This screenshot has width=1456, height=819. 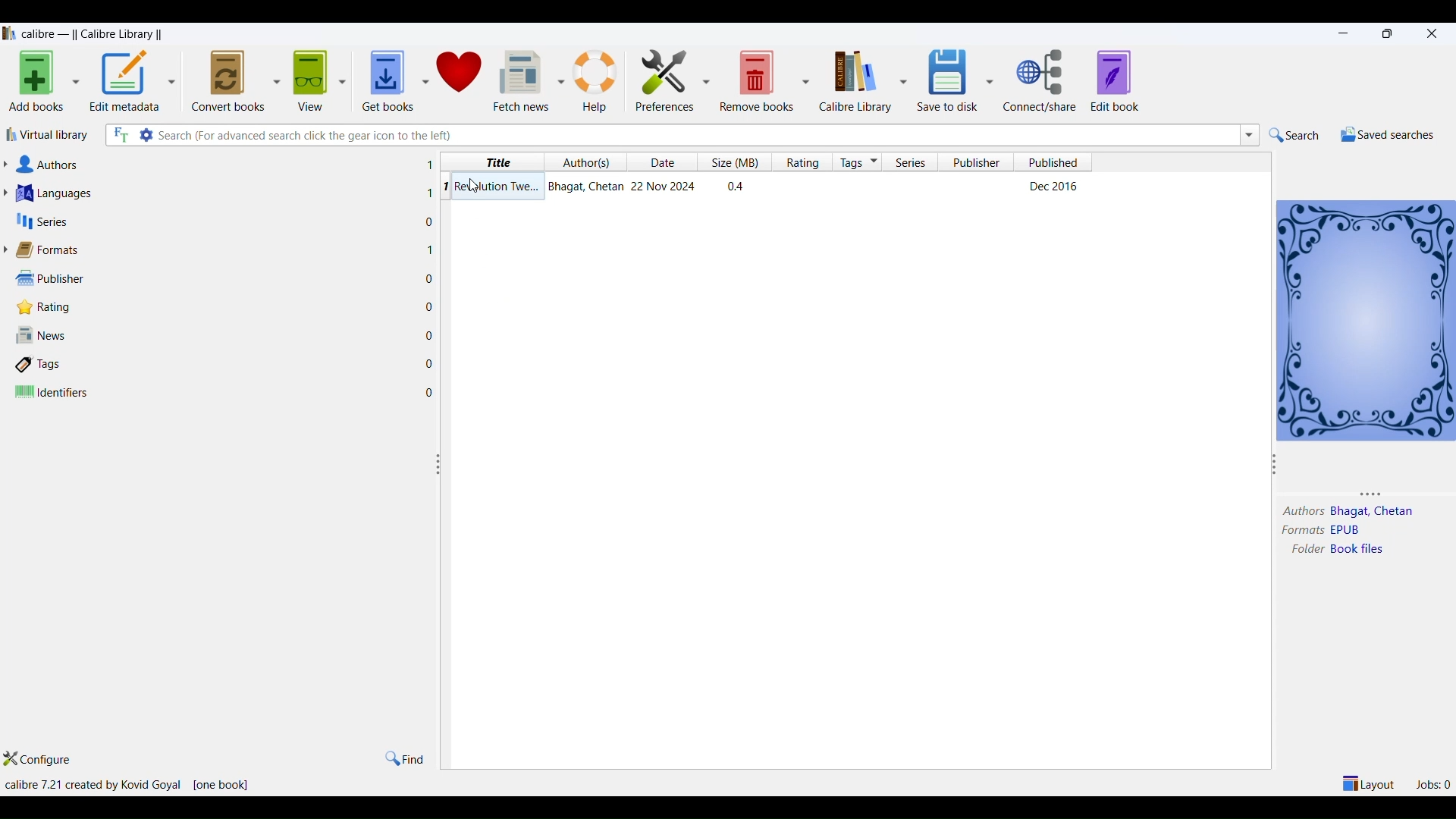 I want to click on 0, so click(x=430, y=333).